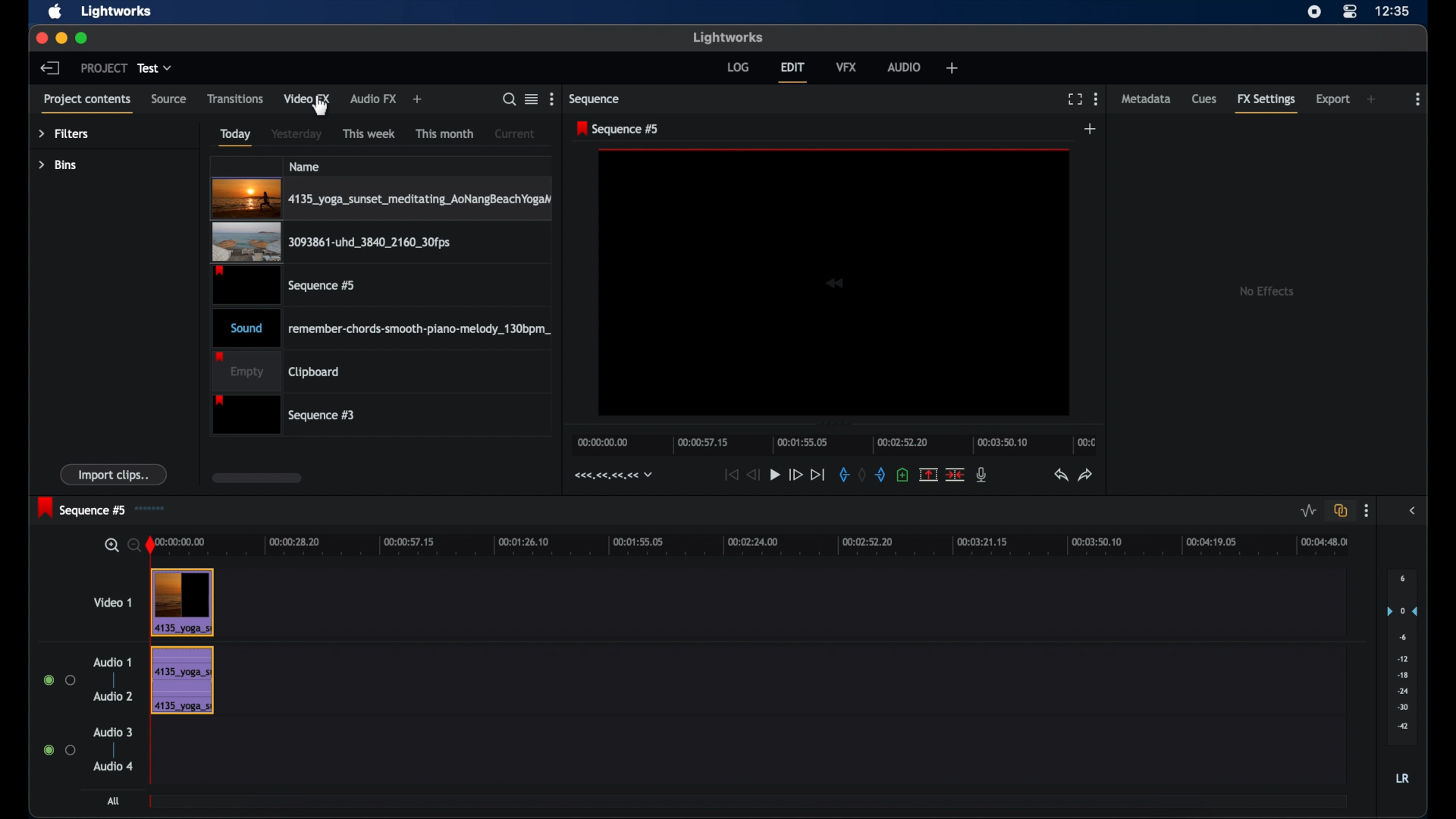 The image size is (1456, 819). Describe the element at coordinates (1394, 12) in the screenshot. I see `time` at that location.